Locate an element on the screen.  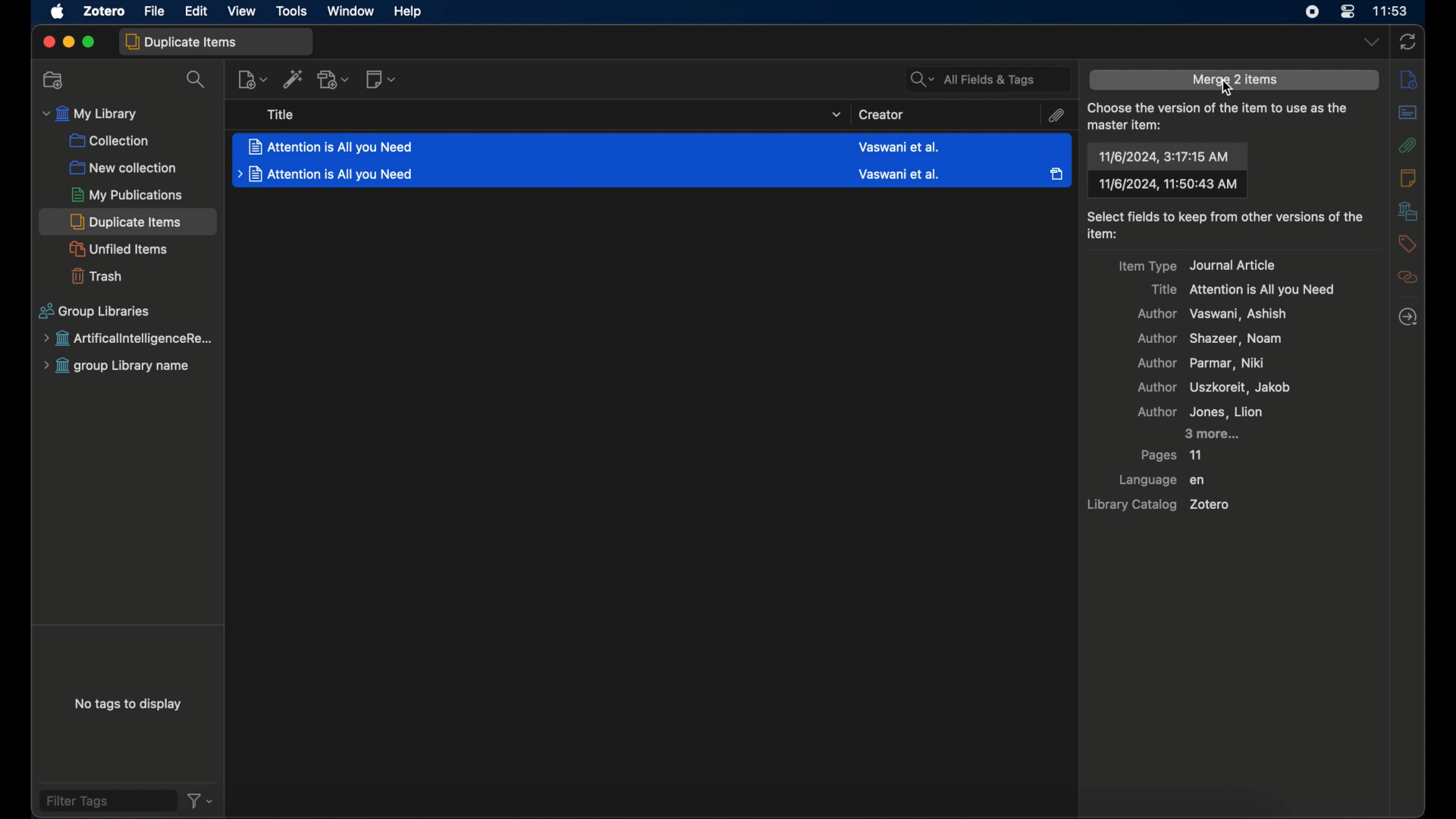
duplicate items tab is located at coordinates (215, 42).